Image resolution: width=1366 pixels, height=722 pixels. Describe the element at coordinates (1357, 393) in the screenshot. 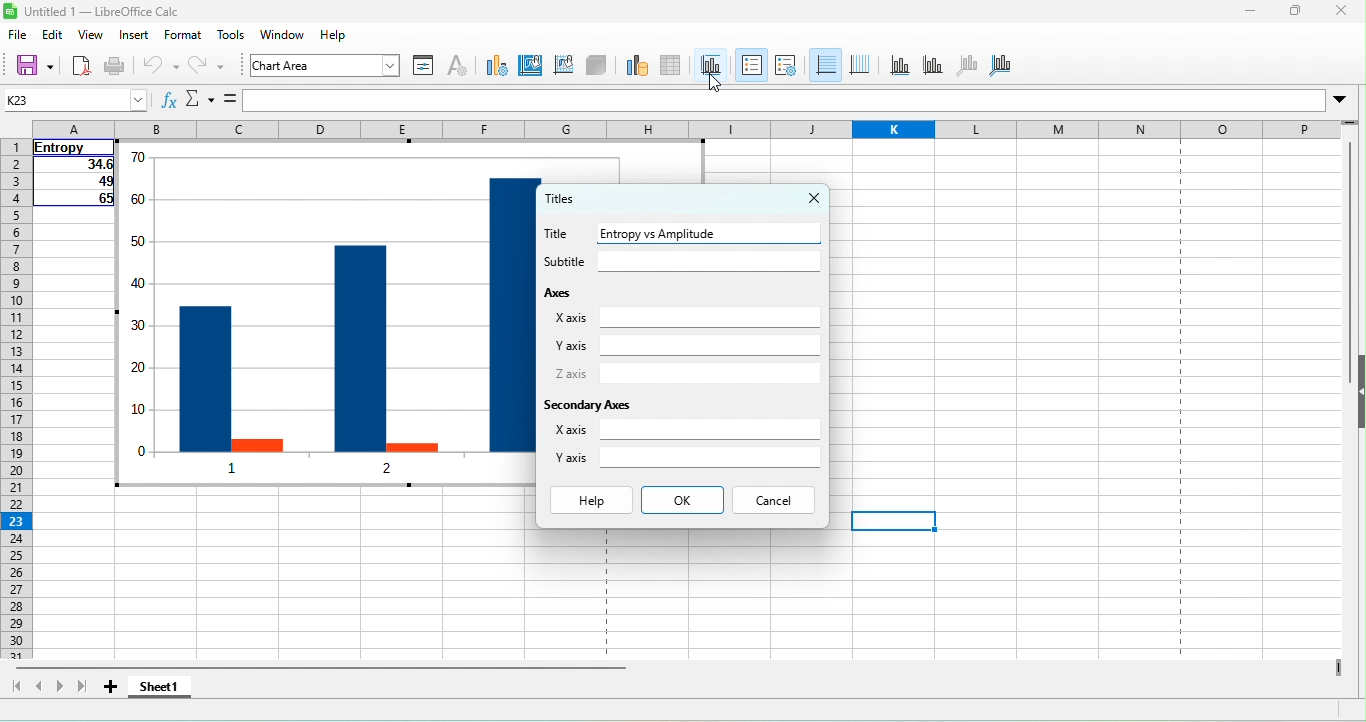

I see `height` at that location.